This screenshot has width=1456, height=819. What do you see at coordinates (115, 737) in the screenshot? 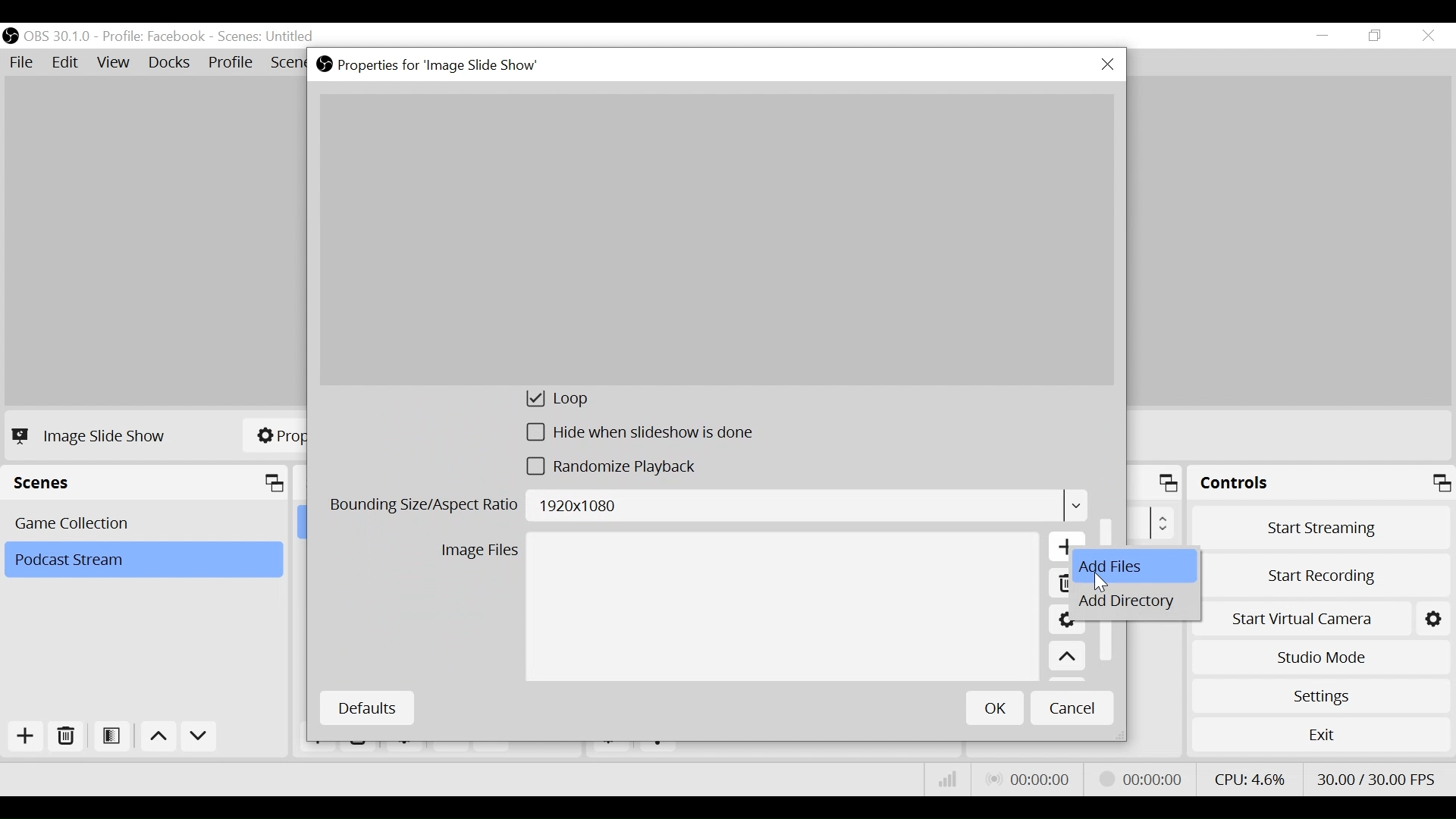
I see `Open Scene Filter` at bounding box center [115, 737].